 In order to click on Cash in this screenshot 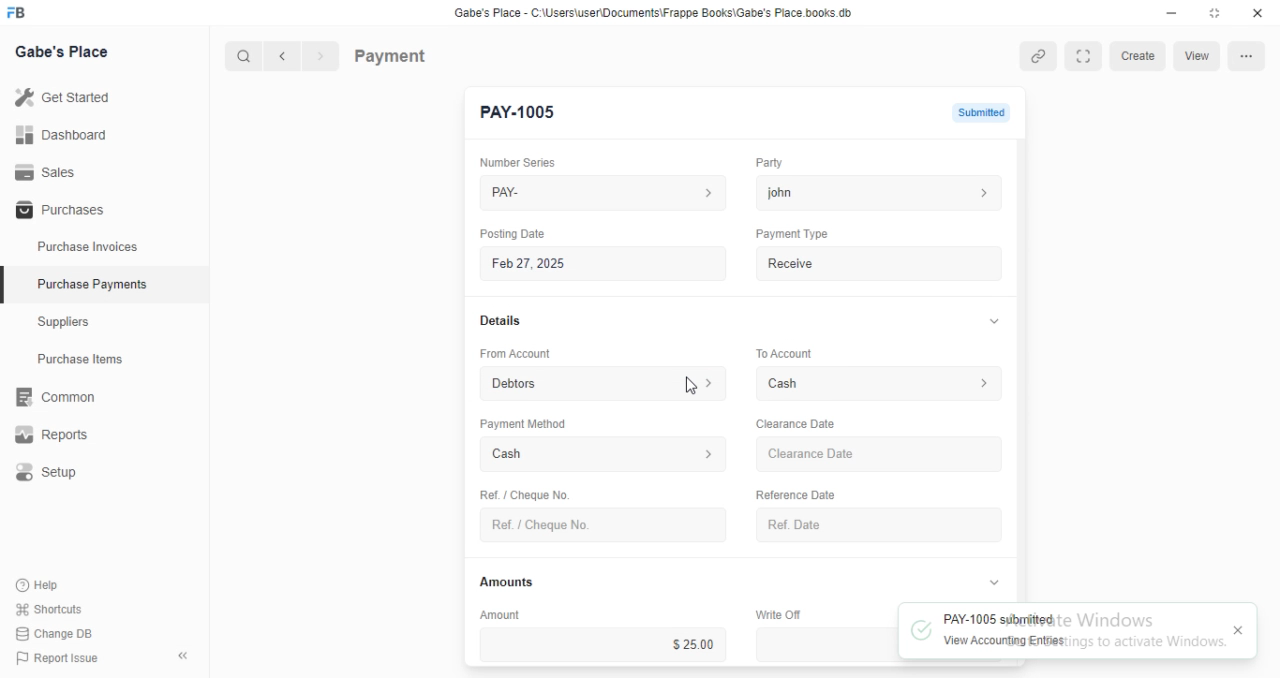, I will do `click(882, 383)`.